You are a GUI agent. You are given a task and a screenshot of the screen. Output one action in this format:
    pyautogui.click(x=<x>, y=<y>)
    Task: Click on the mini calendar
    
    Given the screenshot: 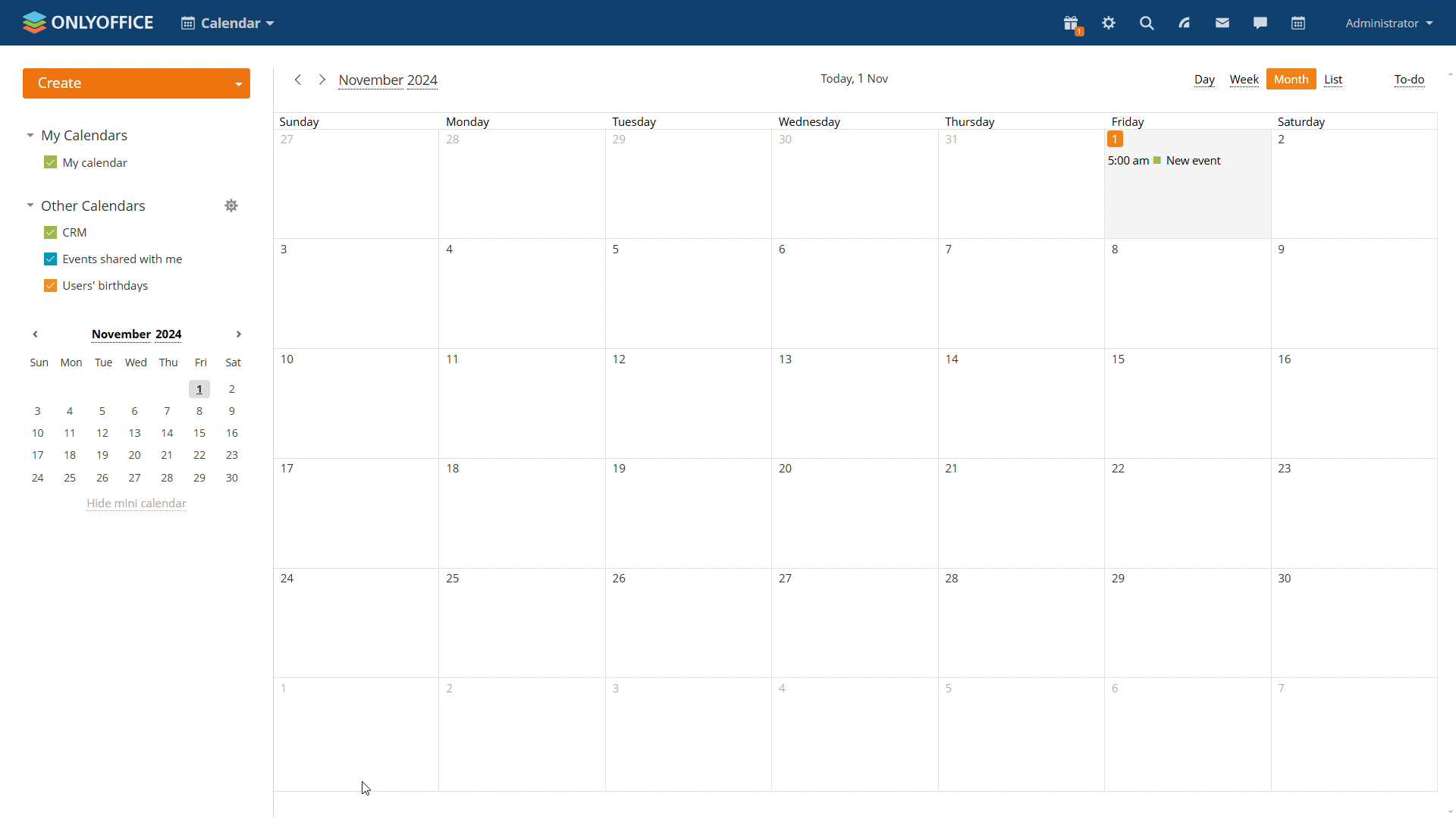 What is the action you would take?
    pyautogui.click(x=135, y=420)
    